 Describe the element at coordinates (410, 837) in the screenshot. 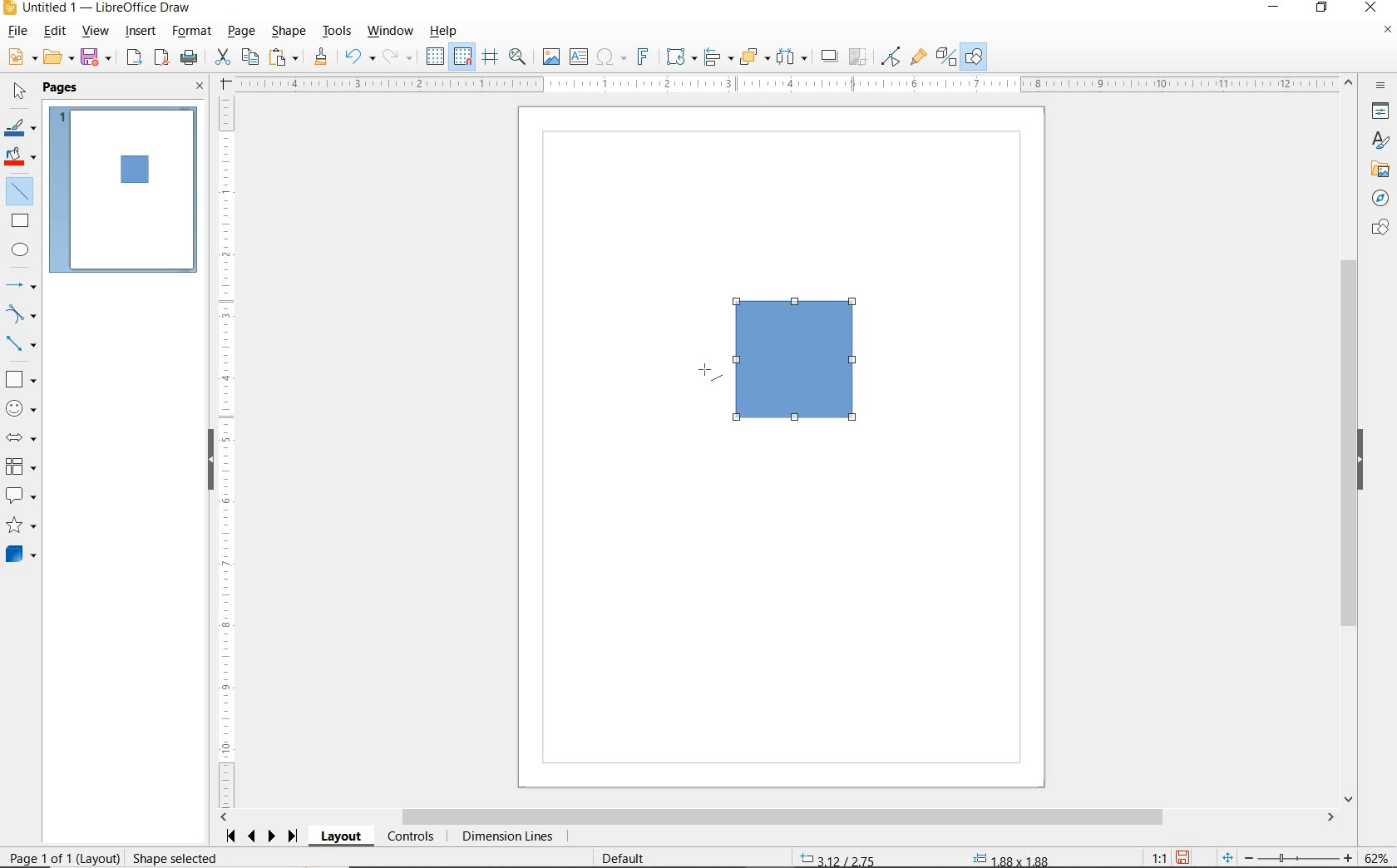

I see `CONTROLS` at that location.